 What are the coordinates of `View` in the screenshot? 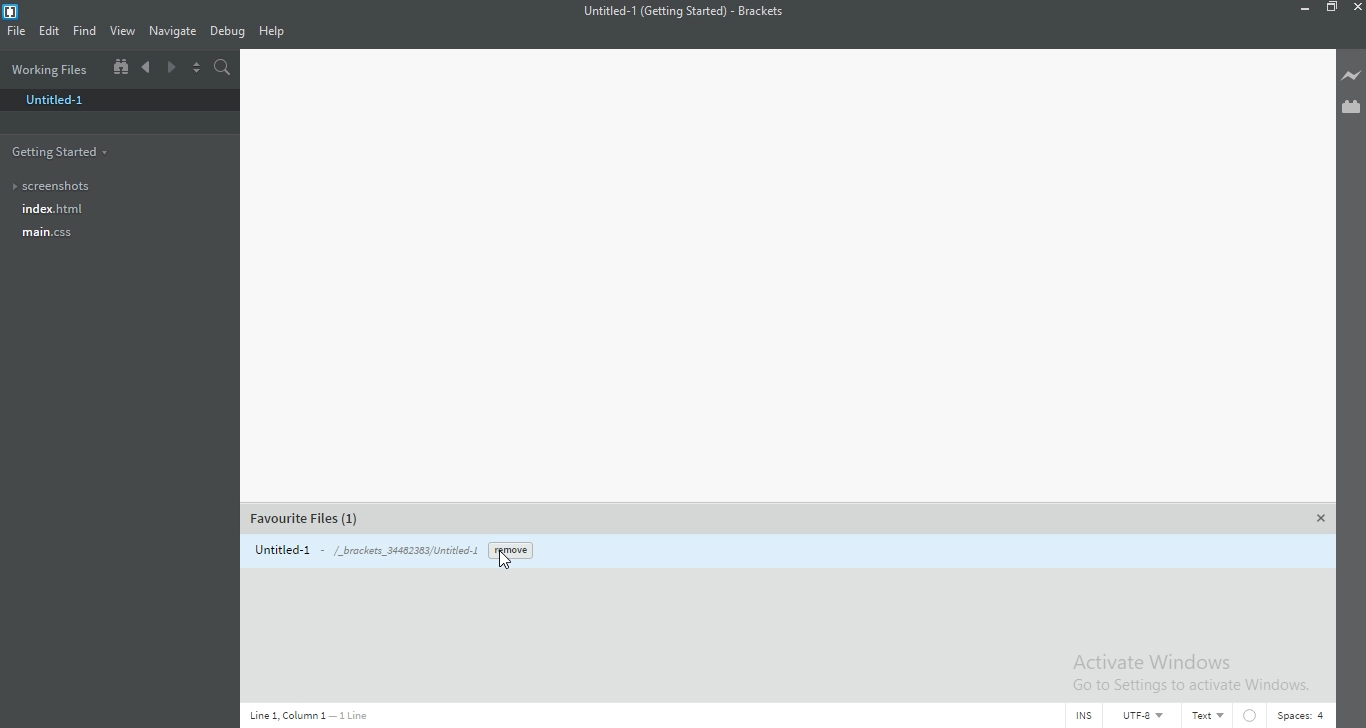 It's located at (126, 35).